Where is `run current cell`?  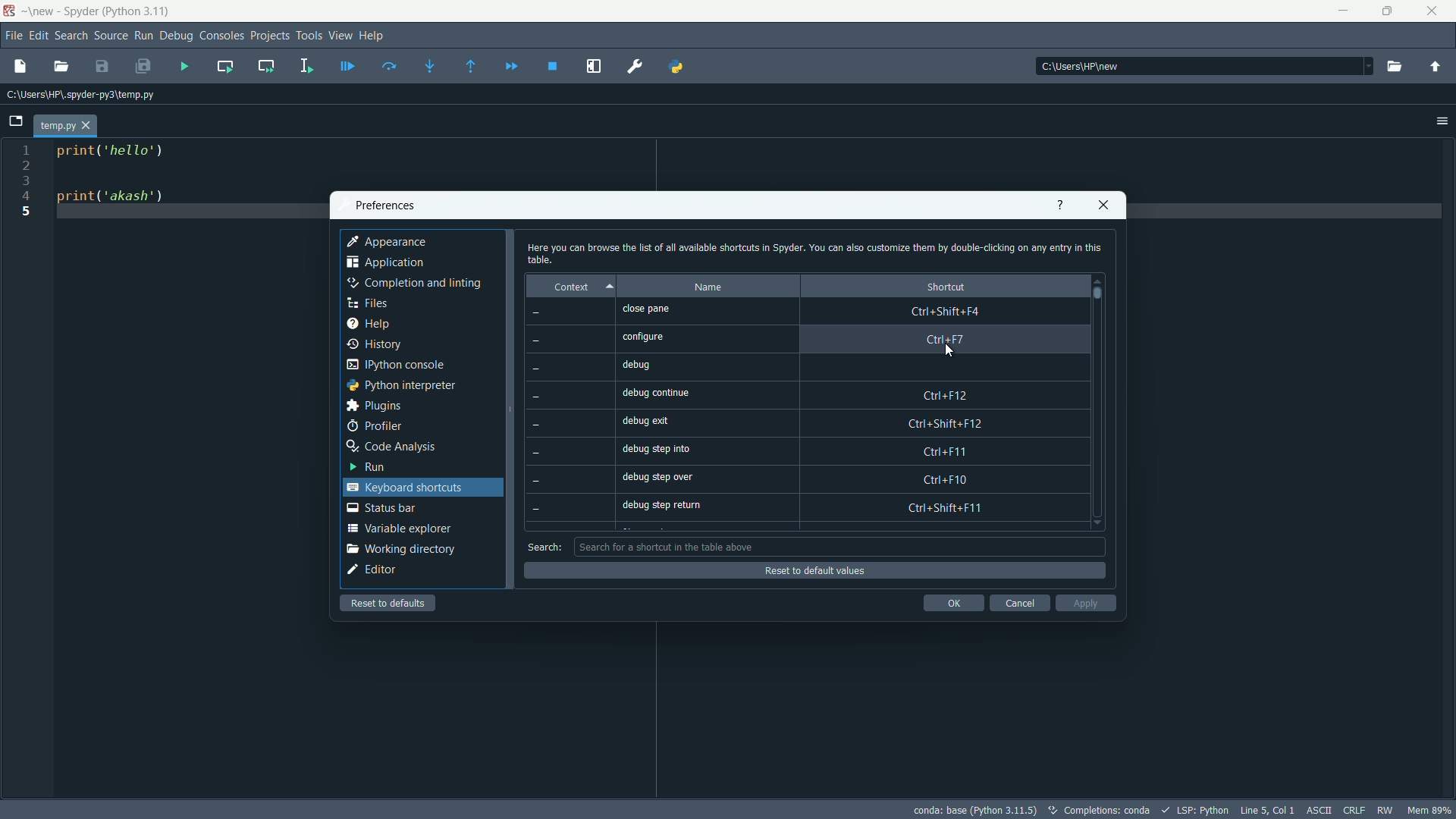
run current cell is located at coordinates (225, 66).